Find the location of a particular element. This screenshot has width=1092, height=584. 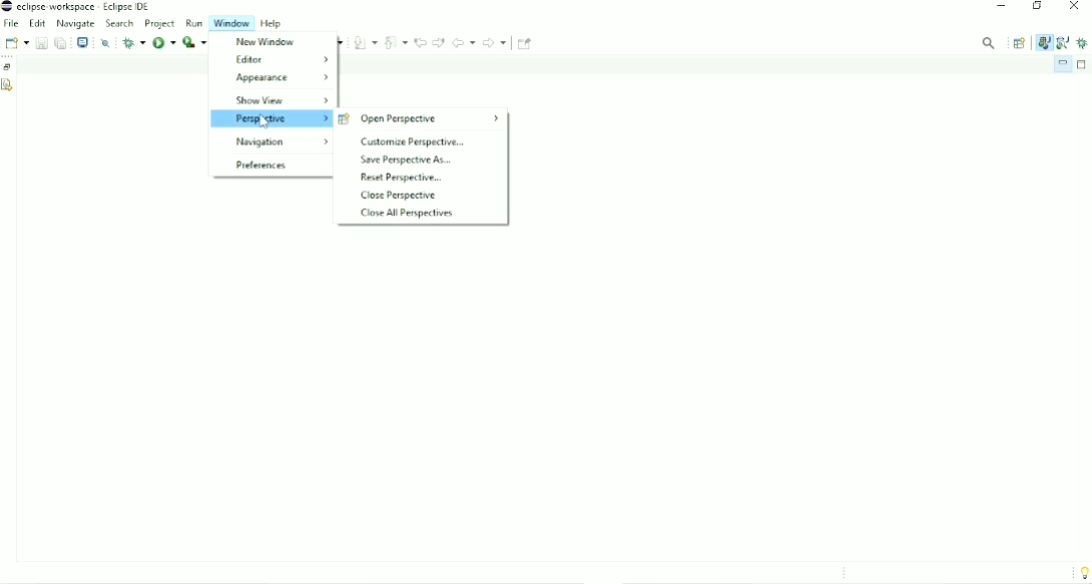

Preferences is located at coordinates (261, 166).